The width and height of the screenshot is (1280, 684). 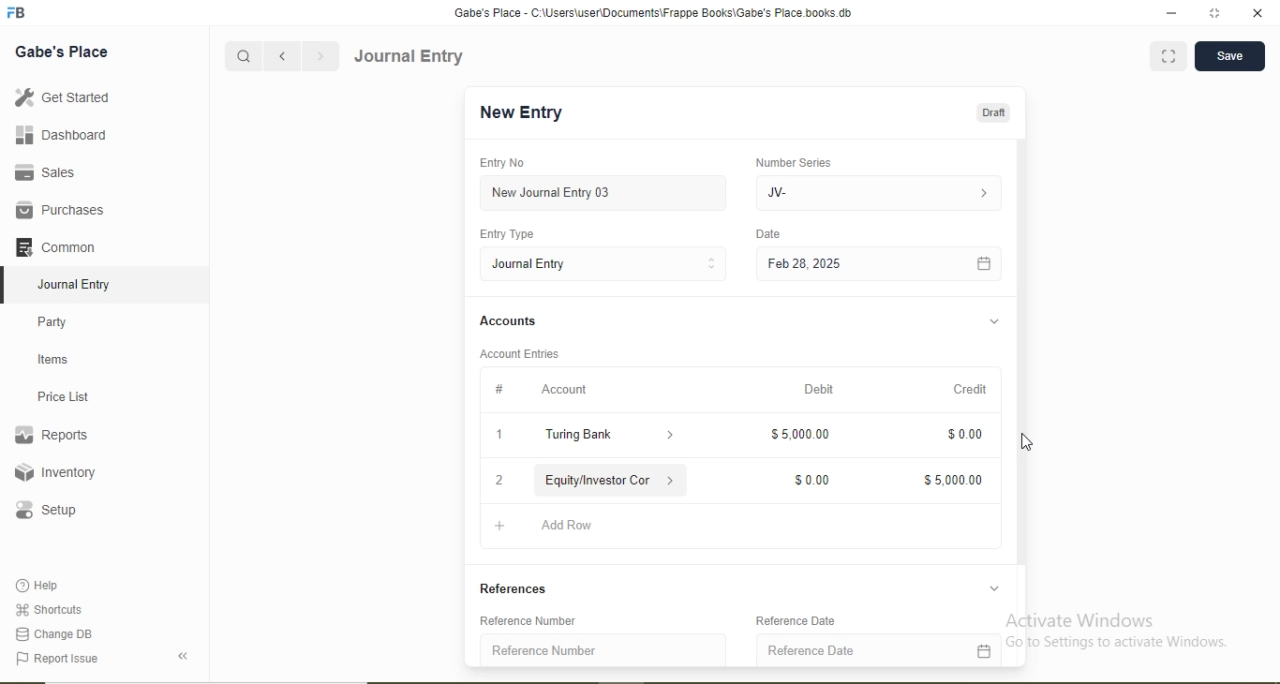 What do you see at coordinates (531, 264) in the screenshot?
I see `Journal Entry` at bounding box center [531, 264].